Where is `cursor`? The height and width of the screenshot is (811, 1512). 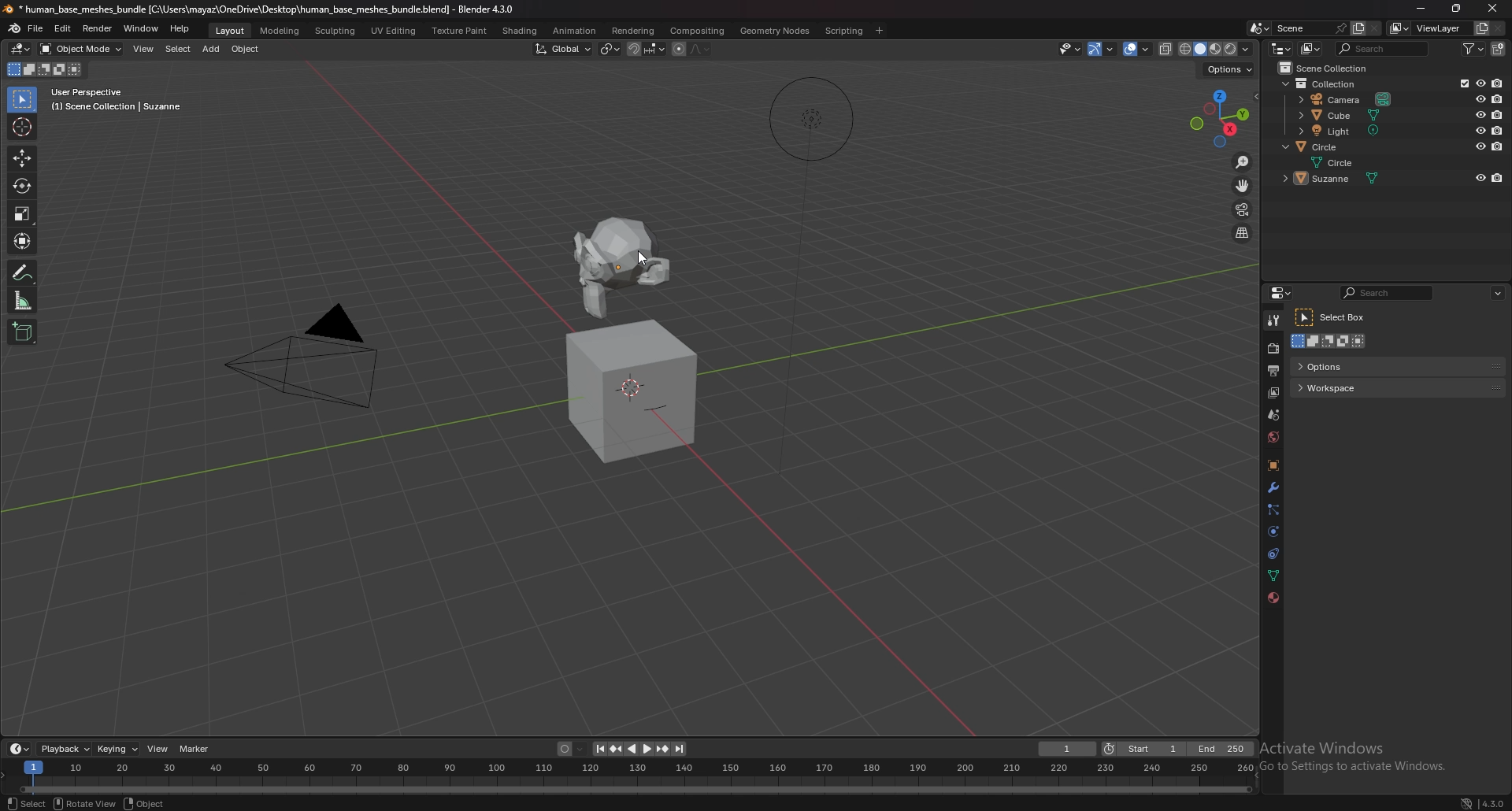
cursor is located at coordinates (644, 258).